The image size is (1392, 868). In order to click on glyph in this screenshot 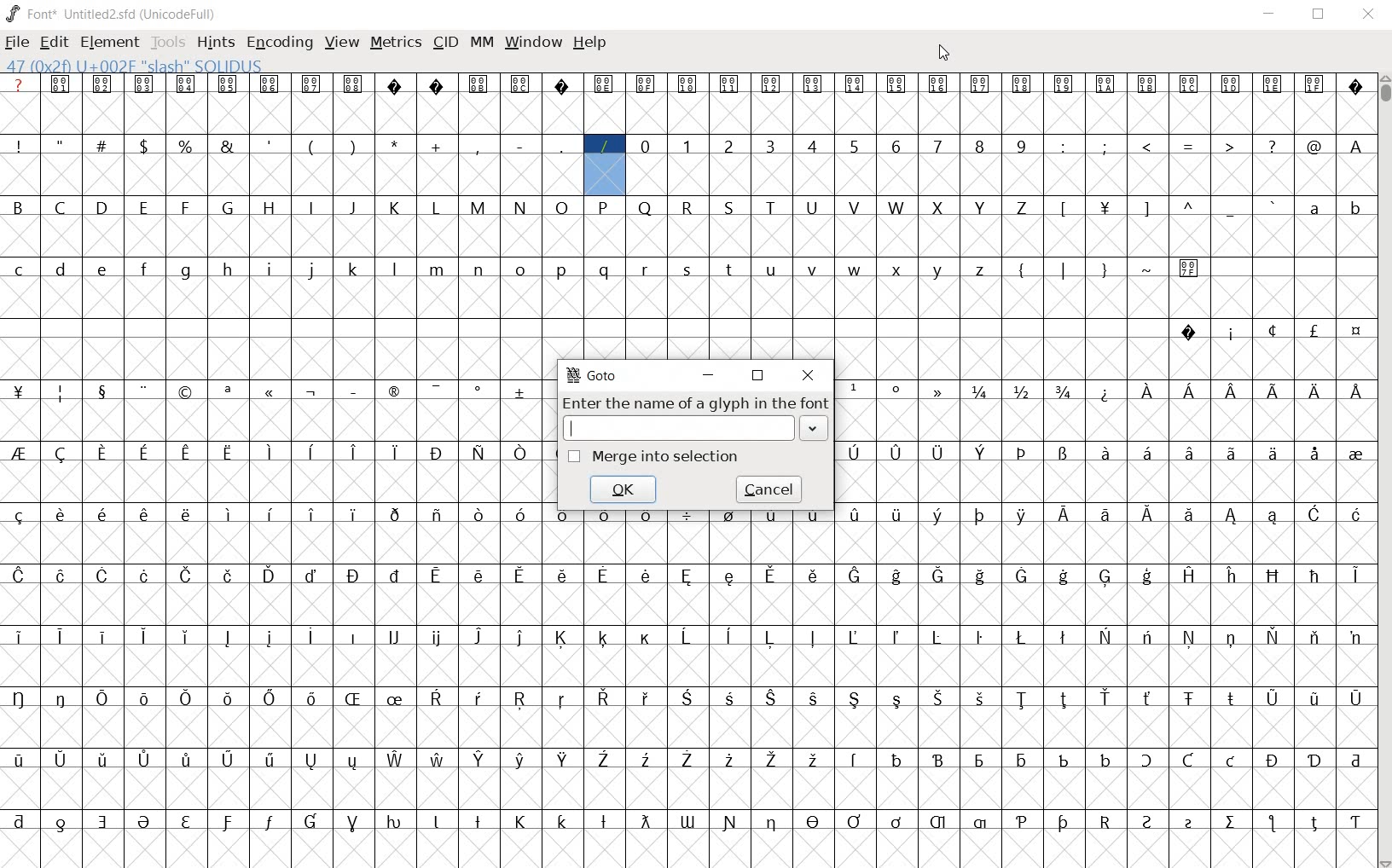, I will do `click(1188, 333)`.